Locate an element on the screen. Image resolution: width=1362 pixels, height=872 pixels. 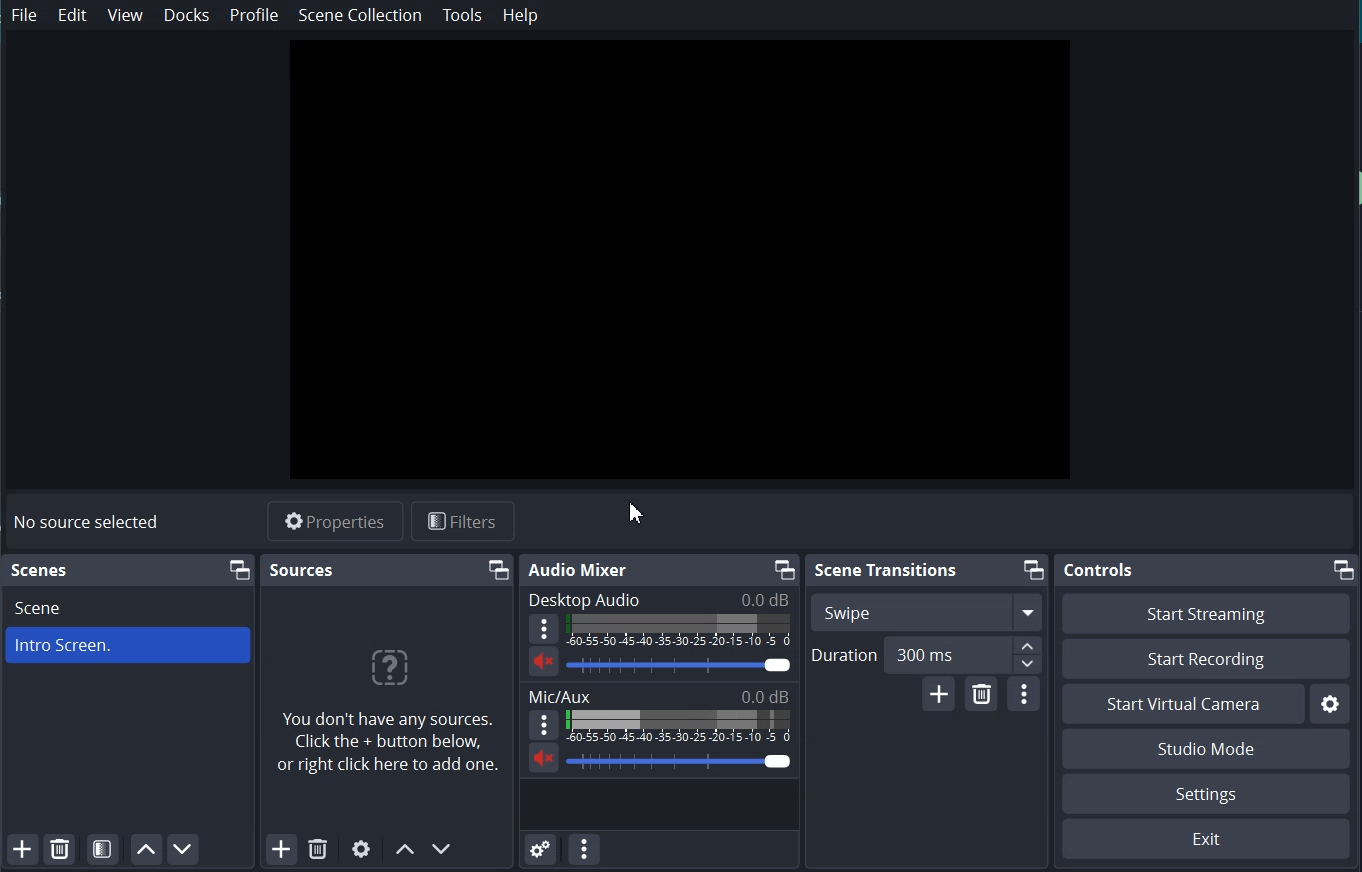
Remove configurable Transition is located at coordinates (981, 694).